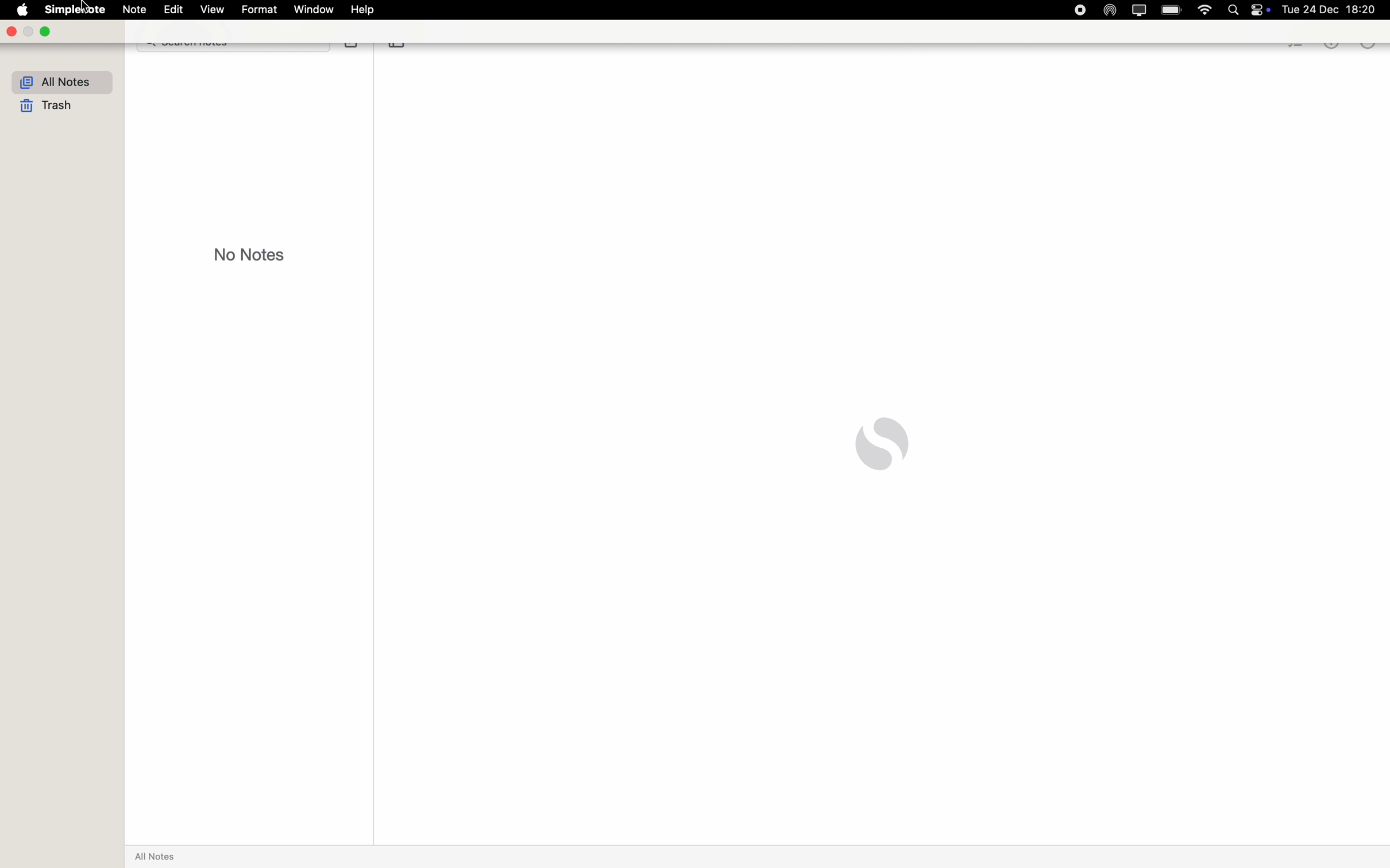 The height and width of the screenshot is (868, 1390). What do you see at coordinates (1237, 9) in the screenshot?
I see `Spotlight search` at bounding box center [1237, 9].